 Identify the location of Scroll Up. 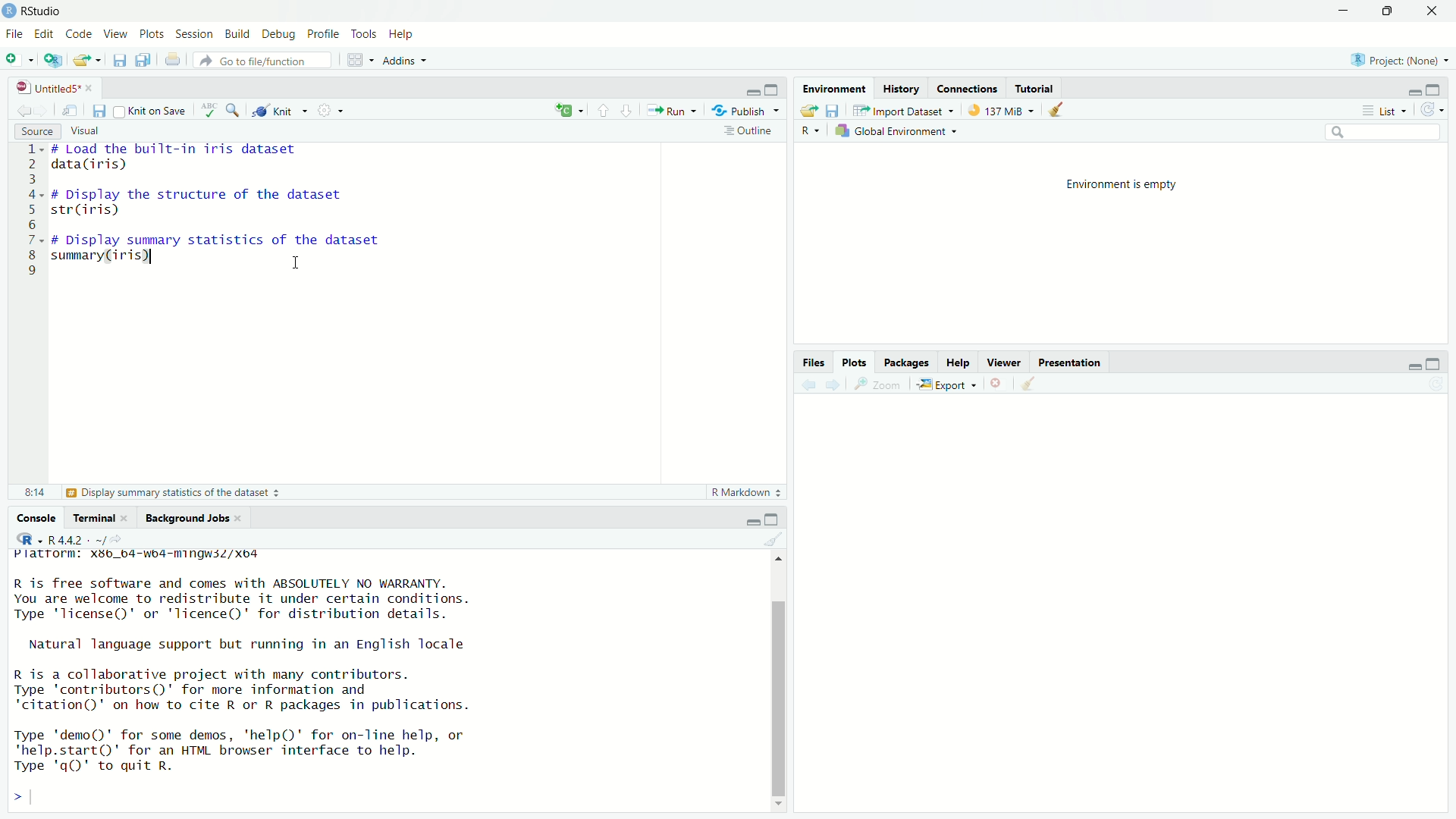
(781, 557).